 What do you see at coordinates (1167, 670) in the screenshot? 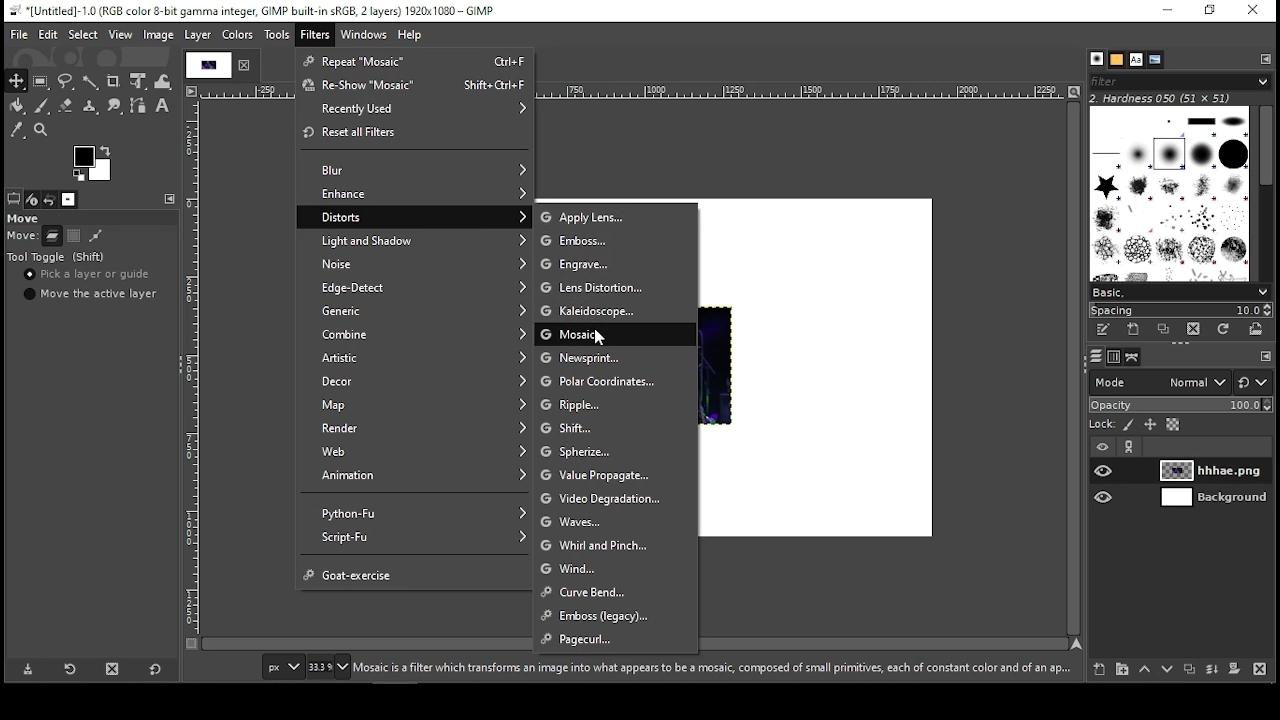
I see `move layer on step down` at bounding box center [1167, 670].